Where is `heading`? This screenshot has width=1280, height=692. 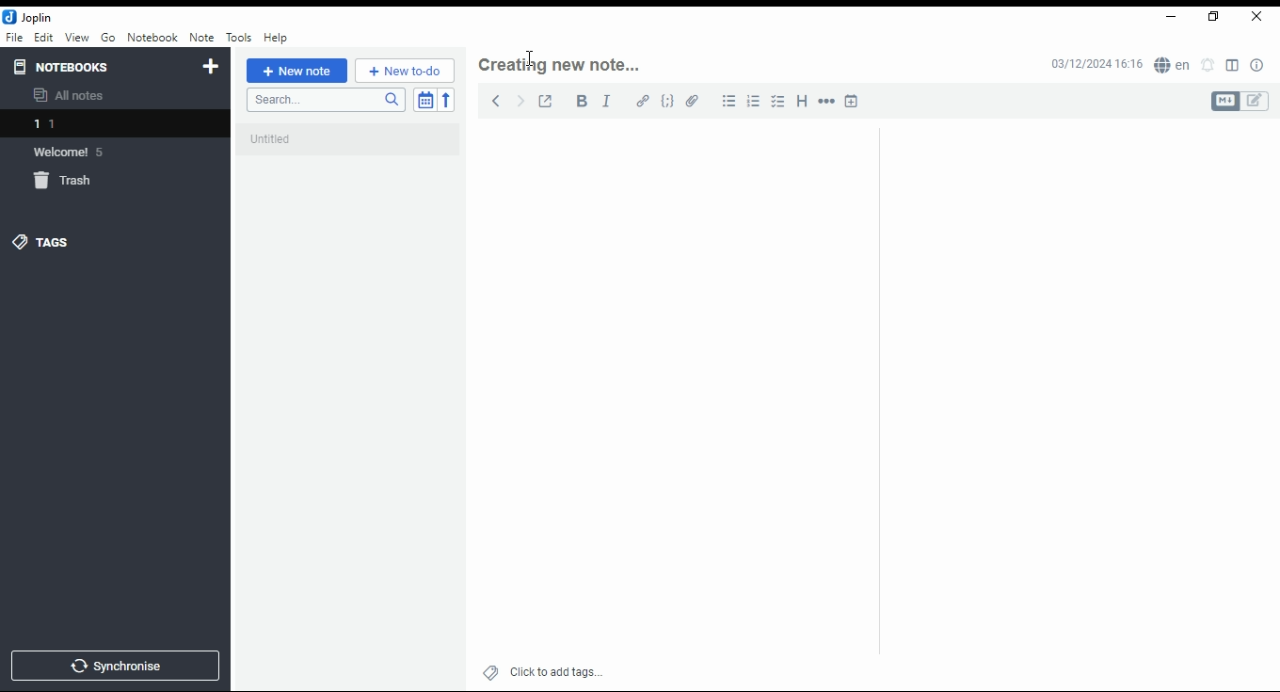 heading is located at coordinates (803, 99).